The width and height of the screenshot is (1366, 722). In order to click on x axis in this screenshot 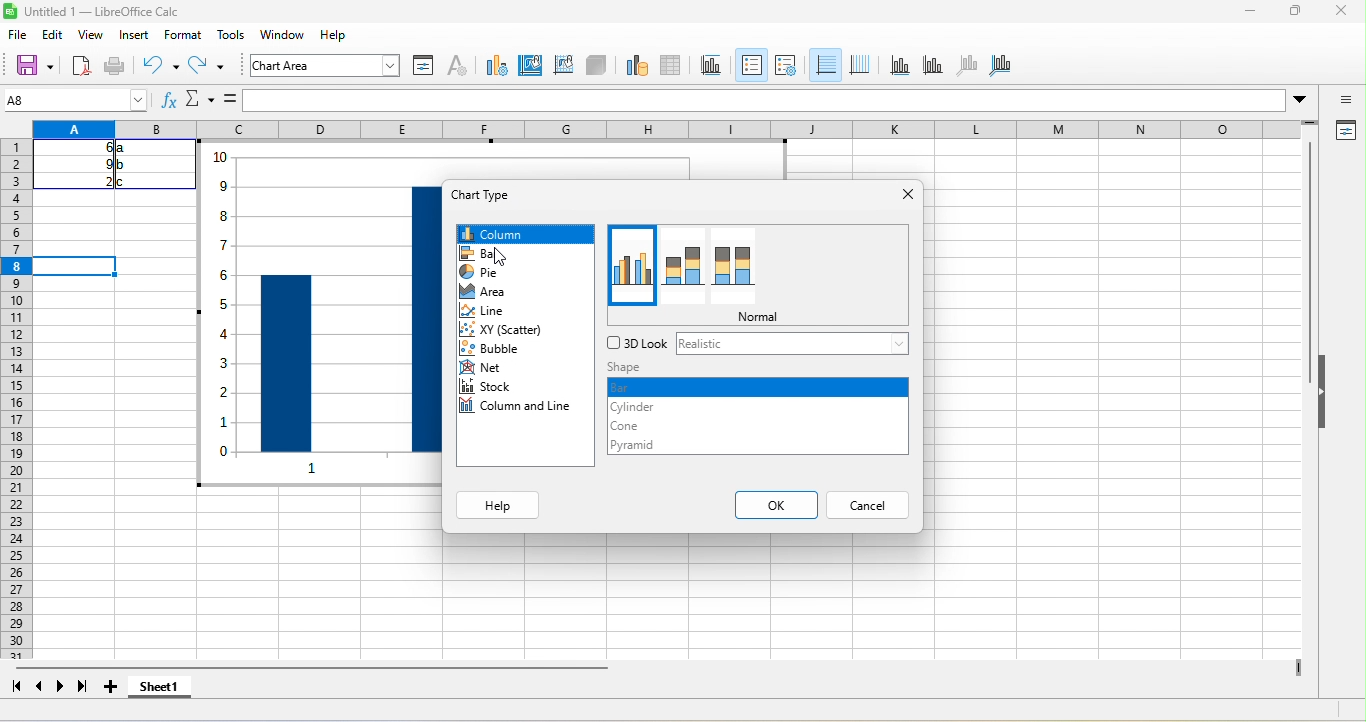, I will do `click(898, 68)`.